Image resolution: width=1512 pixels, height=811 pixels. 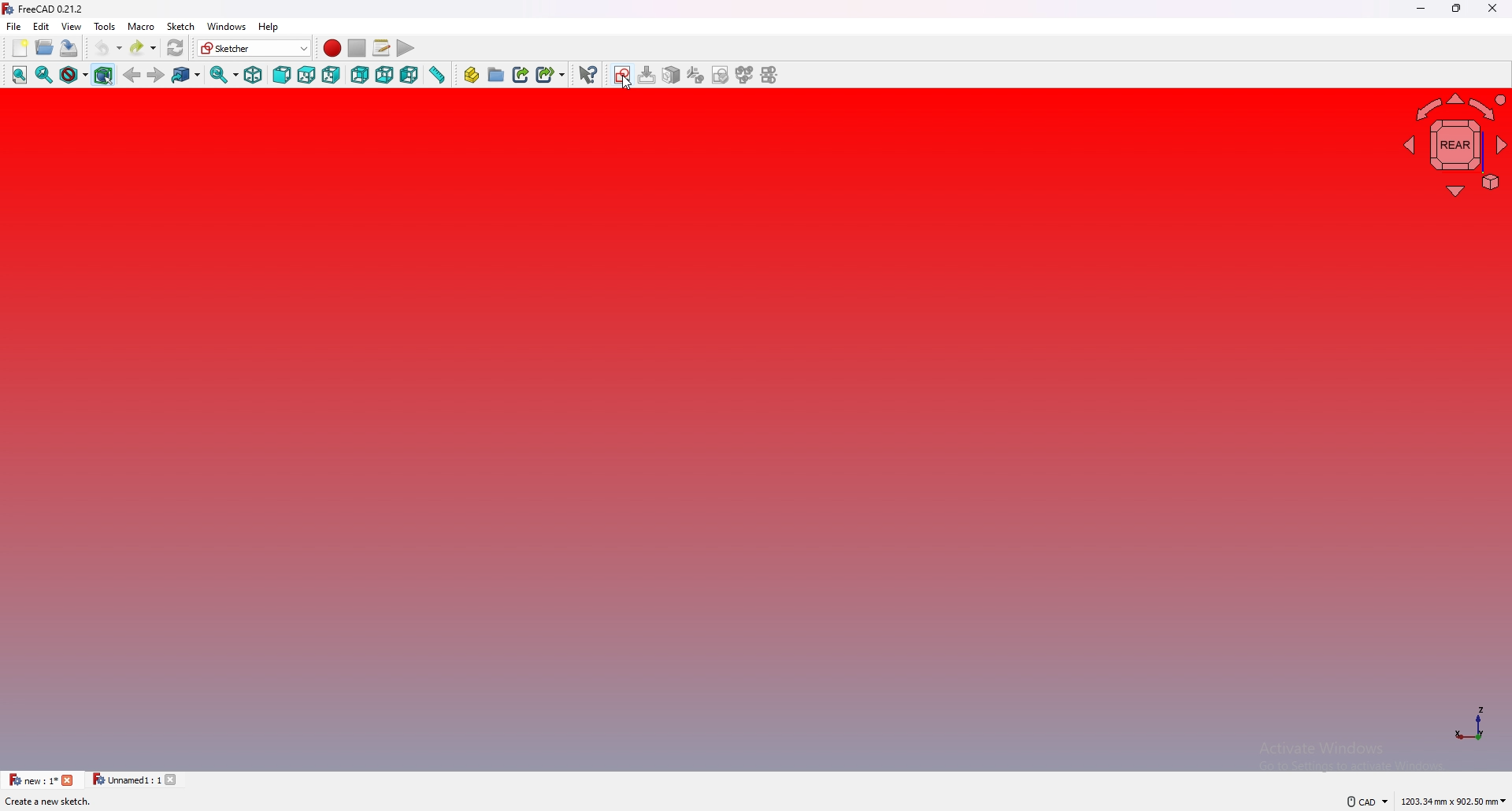 What do you see at coordinates (360, 75) in the screenshot?
I see `back` at bounding box center [360, 75].